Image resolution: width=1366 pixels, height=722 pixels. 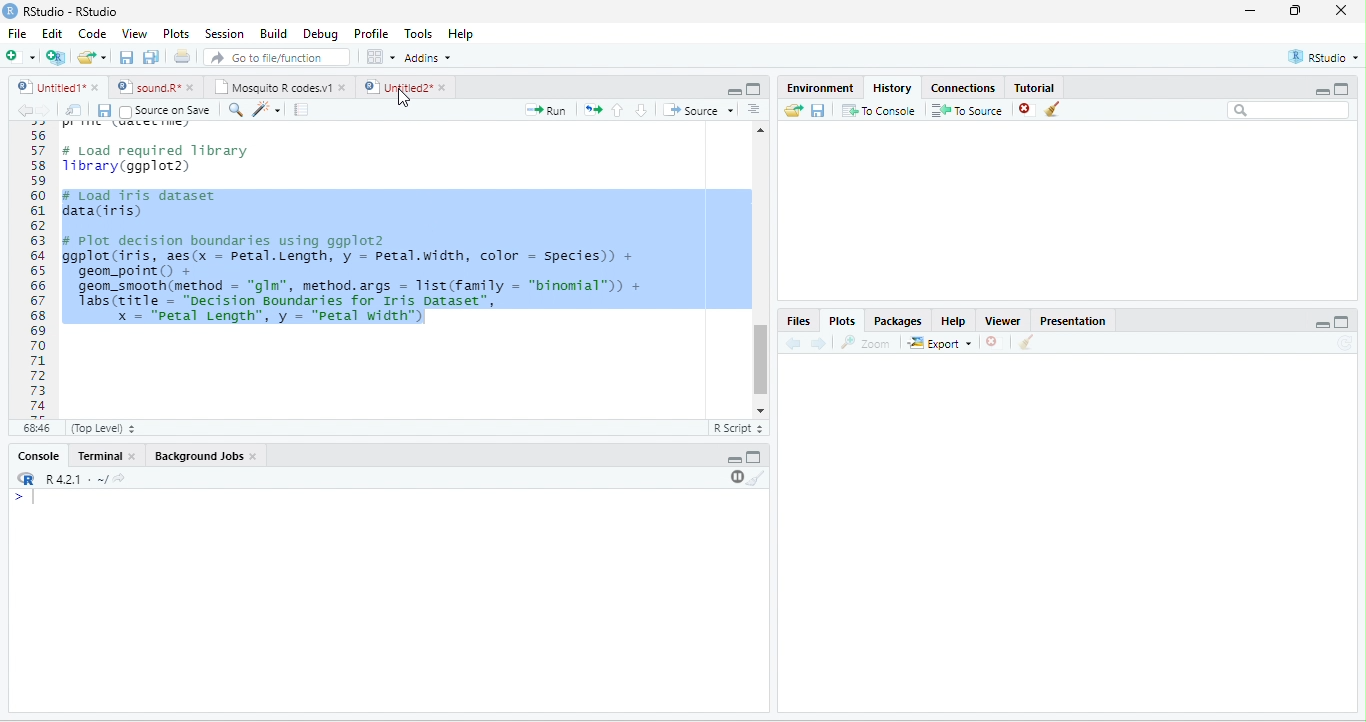 I want to click on rerun, so click(x=592, y=110).